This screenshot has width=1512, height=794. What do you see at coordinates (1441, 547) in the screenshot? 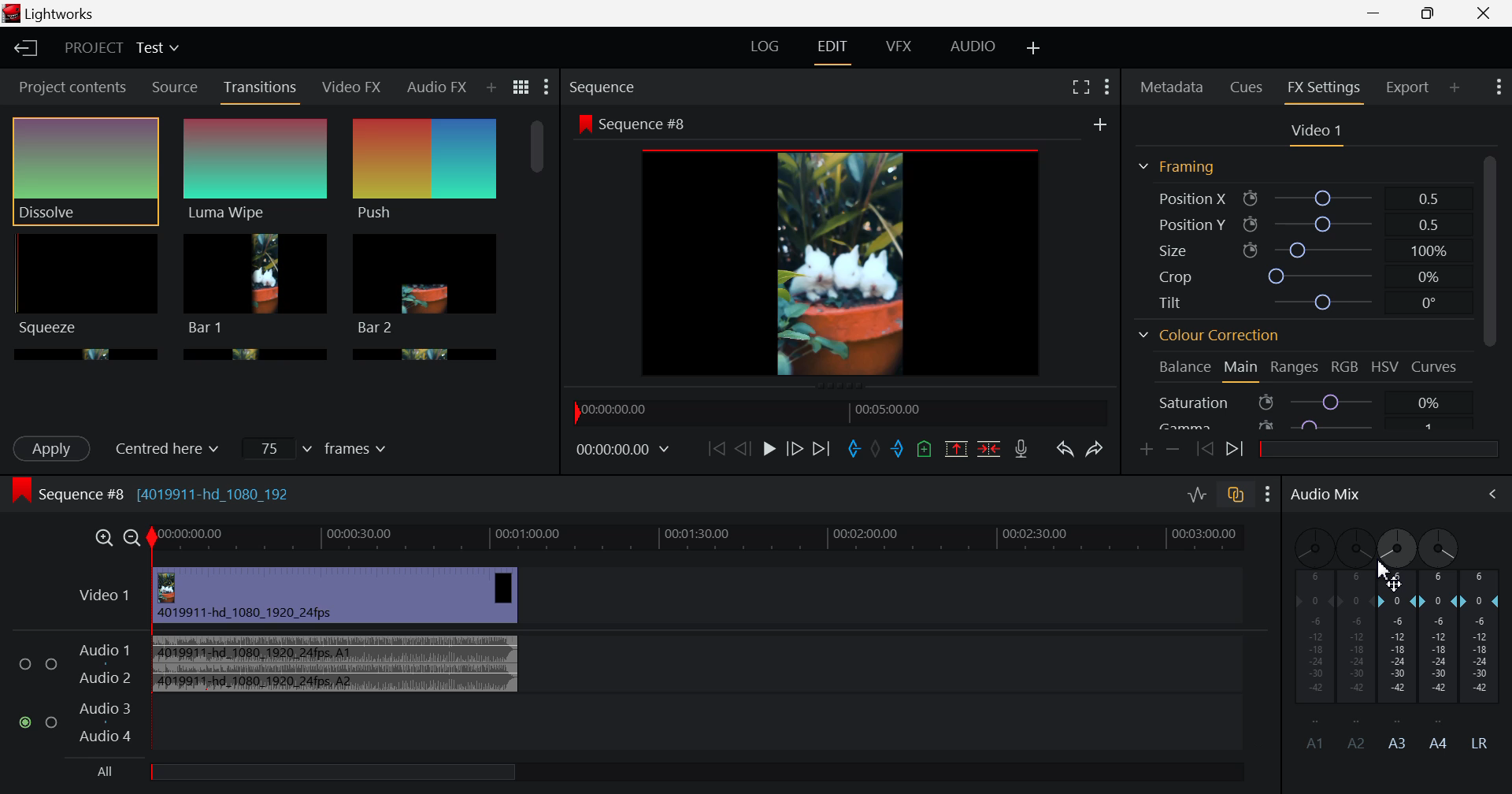
I see `A4 Channel Adjust Pan` at bounding box center [1441, 547].